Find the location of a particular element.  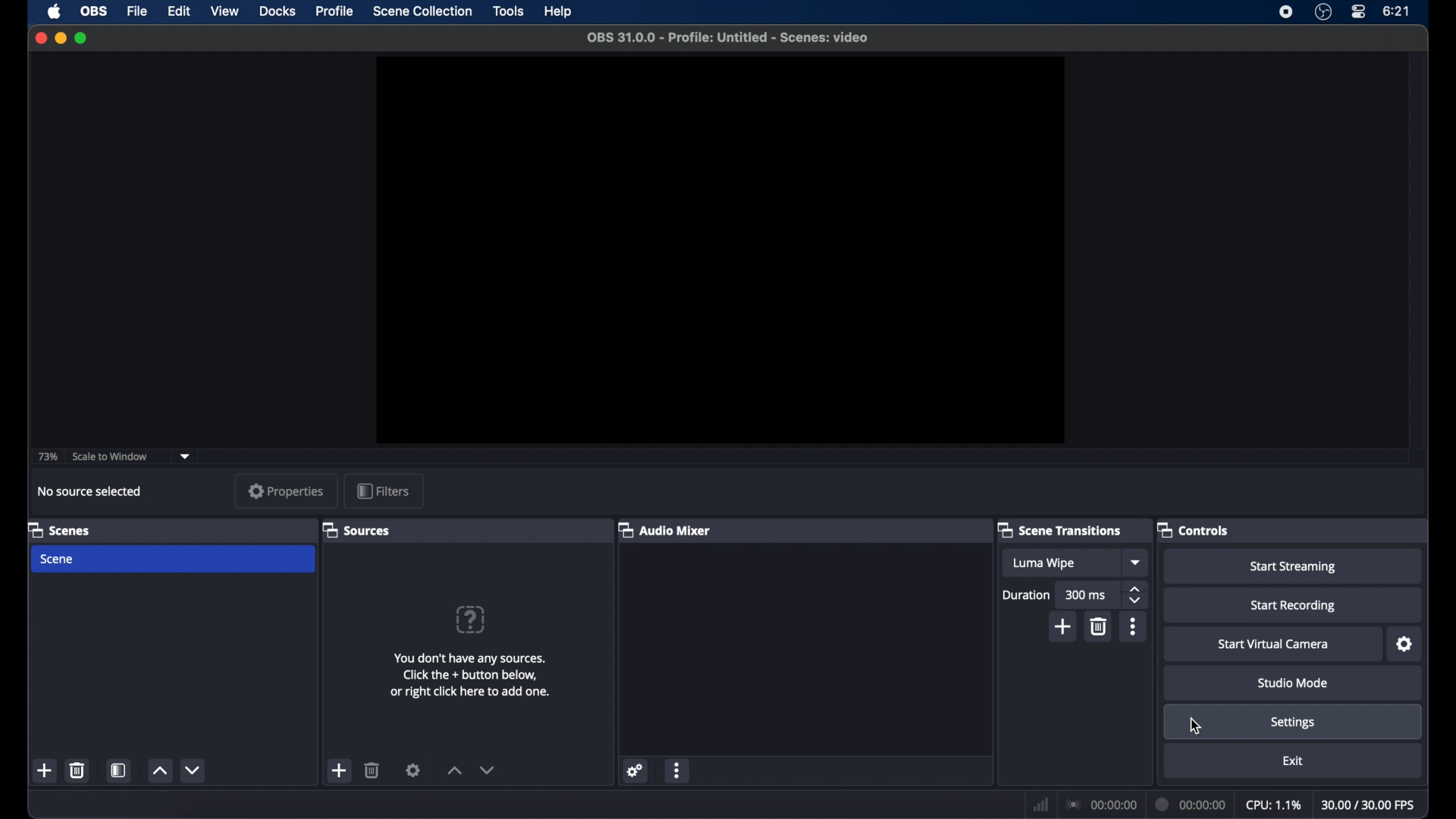

dropdown is located at coordinates (1137, 563).